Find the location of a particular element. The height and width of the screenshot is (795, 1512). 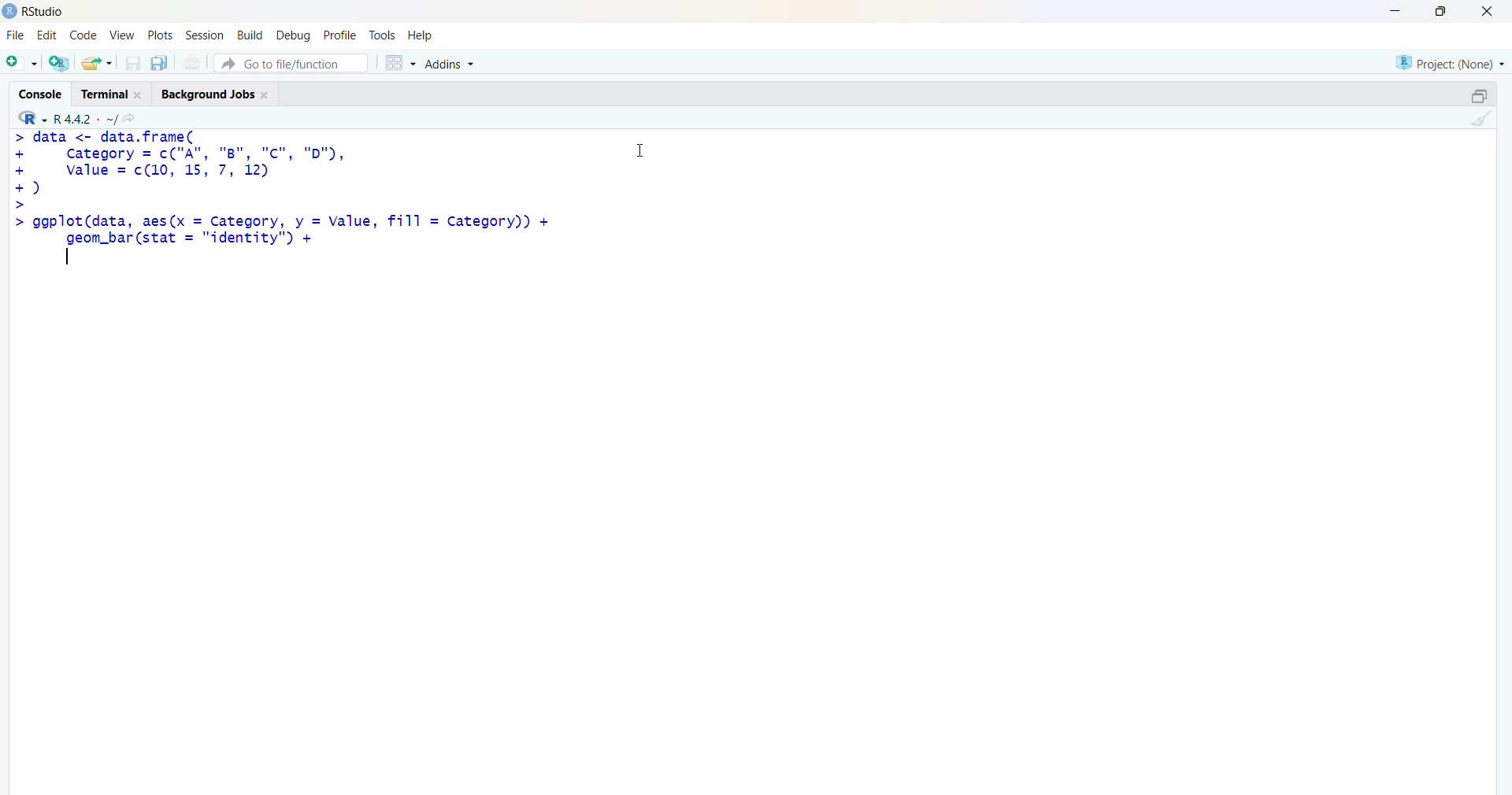

Console is located at coordinates (44, 92).